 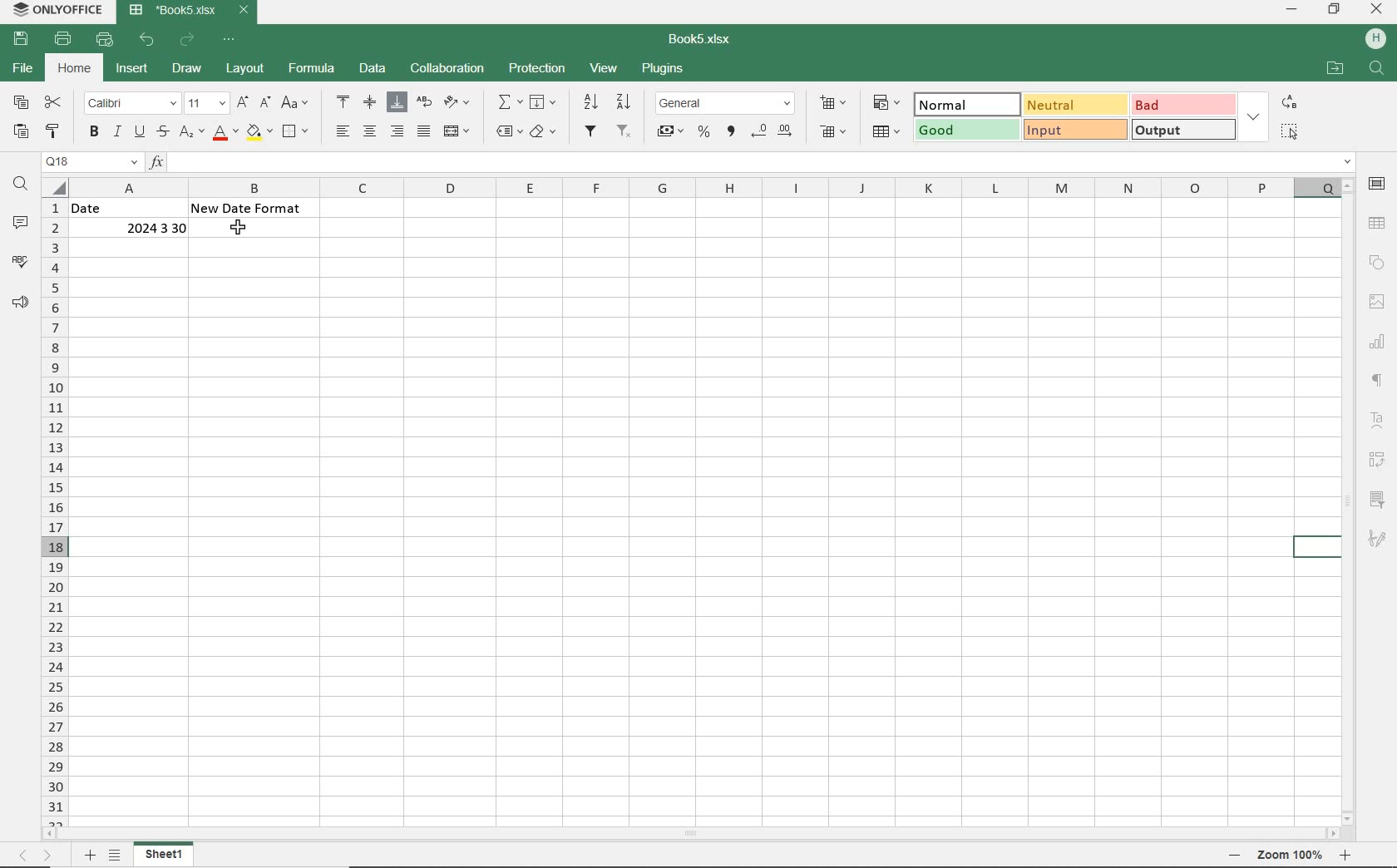 What do you see at coordinates (144, 228) in the screenshot?
I see `2024 3 30` at bounding box center [144, 228].